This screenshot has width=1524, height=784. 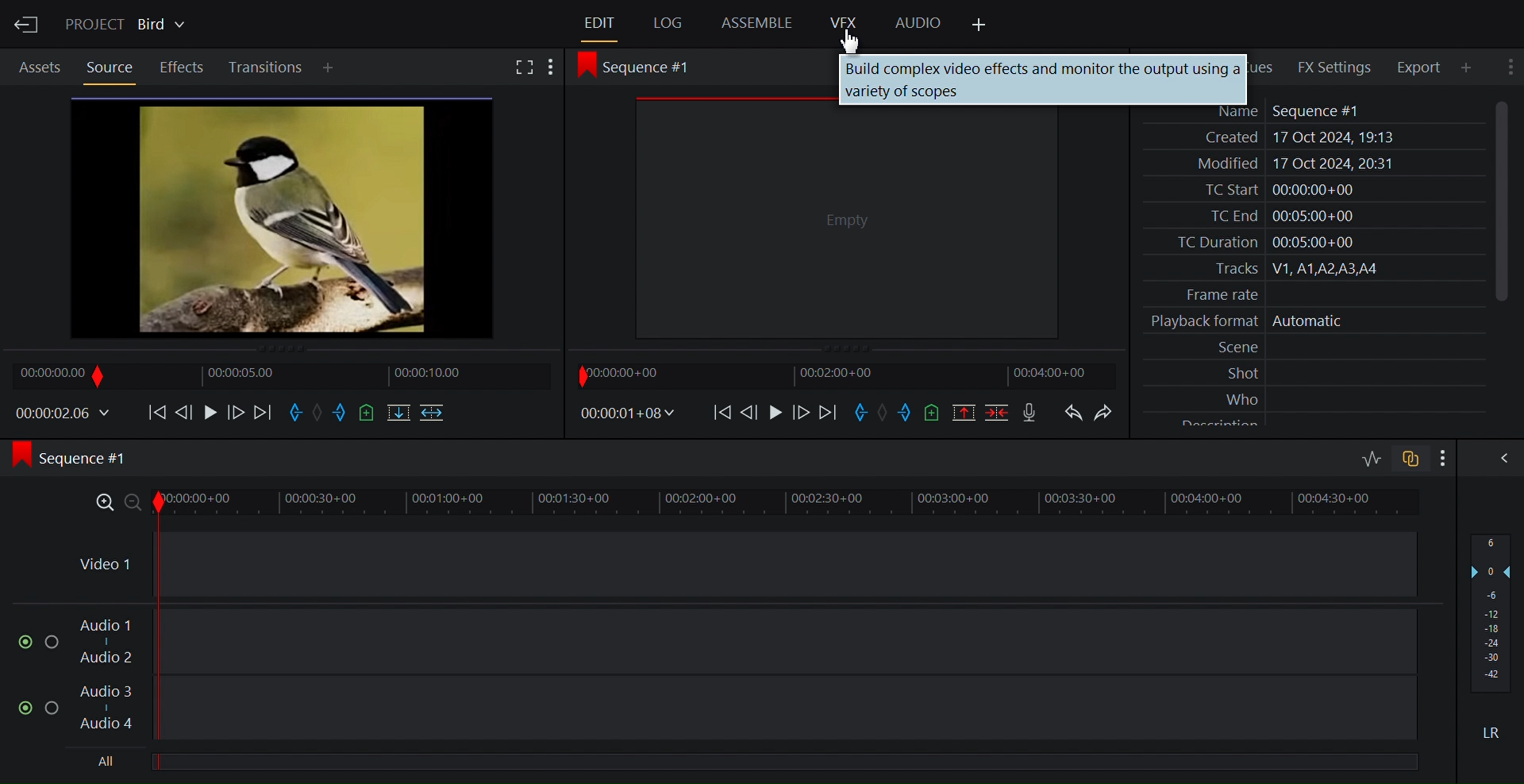 I want to click on Timecodes and reels, so click(x=60, y=413).